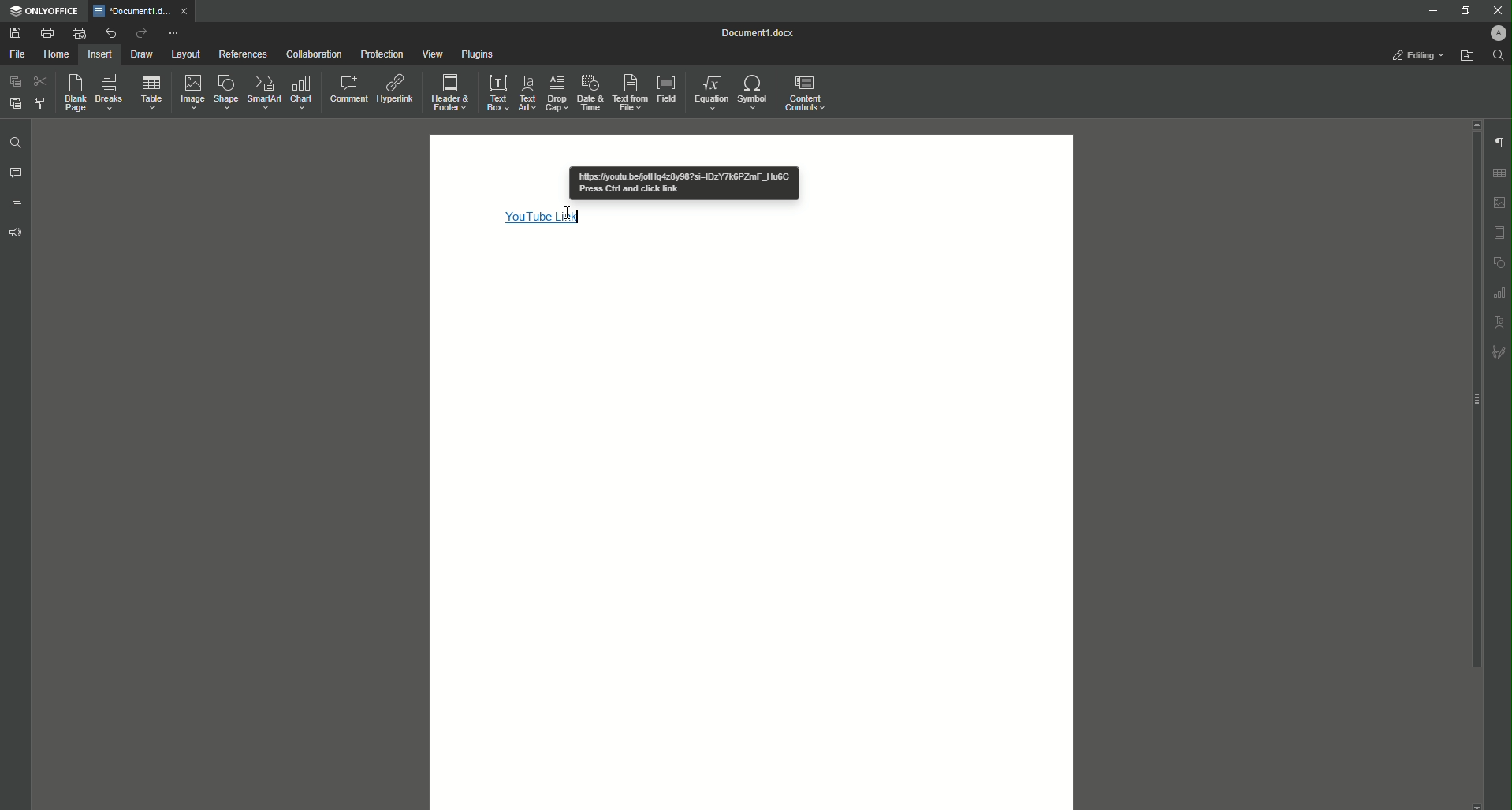 The width and height of the screenshot is (1512, 810). Describe the element at coordinates (1492, 33) in the screenshot. I see `Profile` at that location.